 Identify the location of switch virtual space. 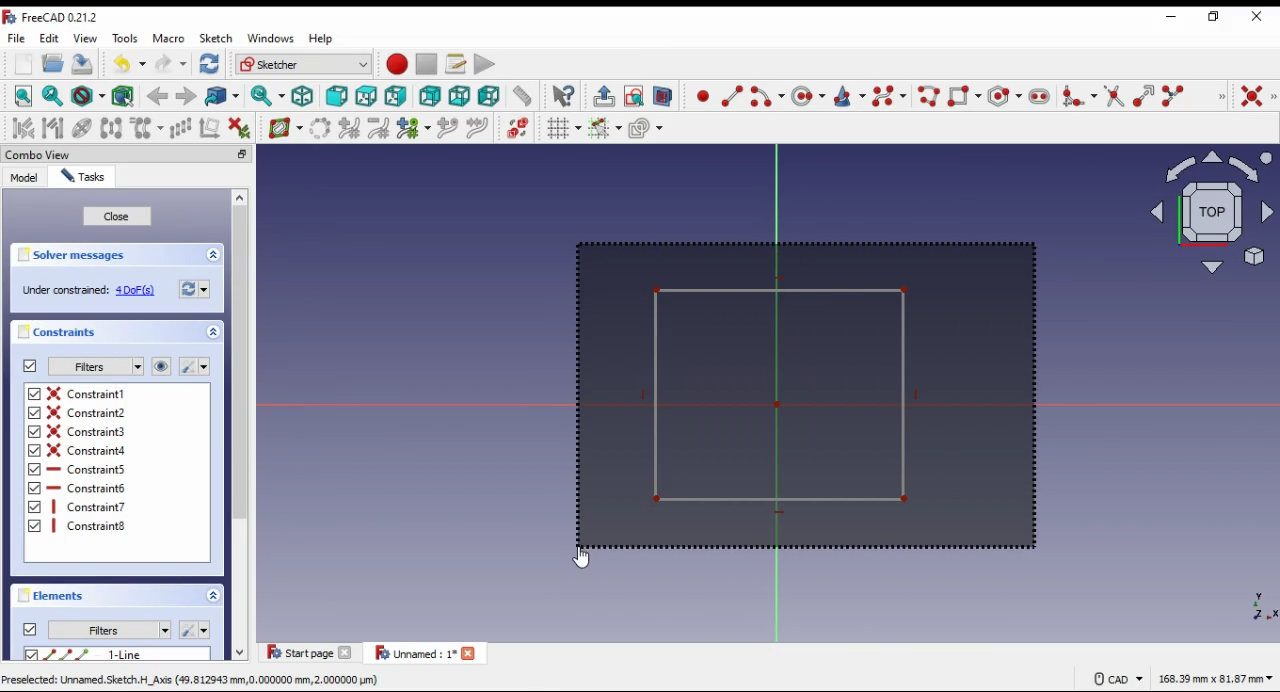
(517, 128).